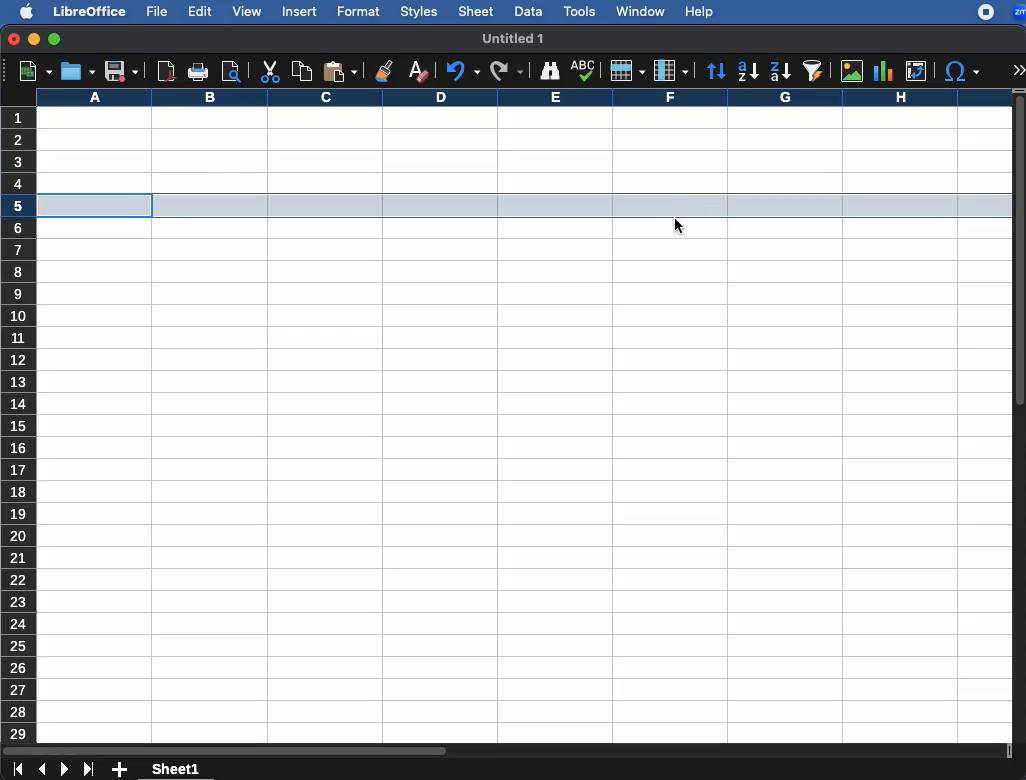 The height and width of the screenshot is (780, 1026). Describe the element at coordinates (40, 769) in the screenshot. I see `previous sheet` at that location.